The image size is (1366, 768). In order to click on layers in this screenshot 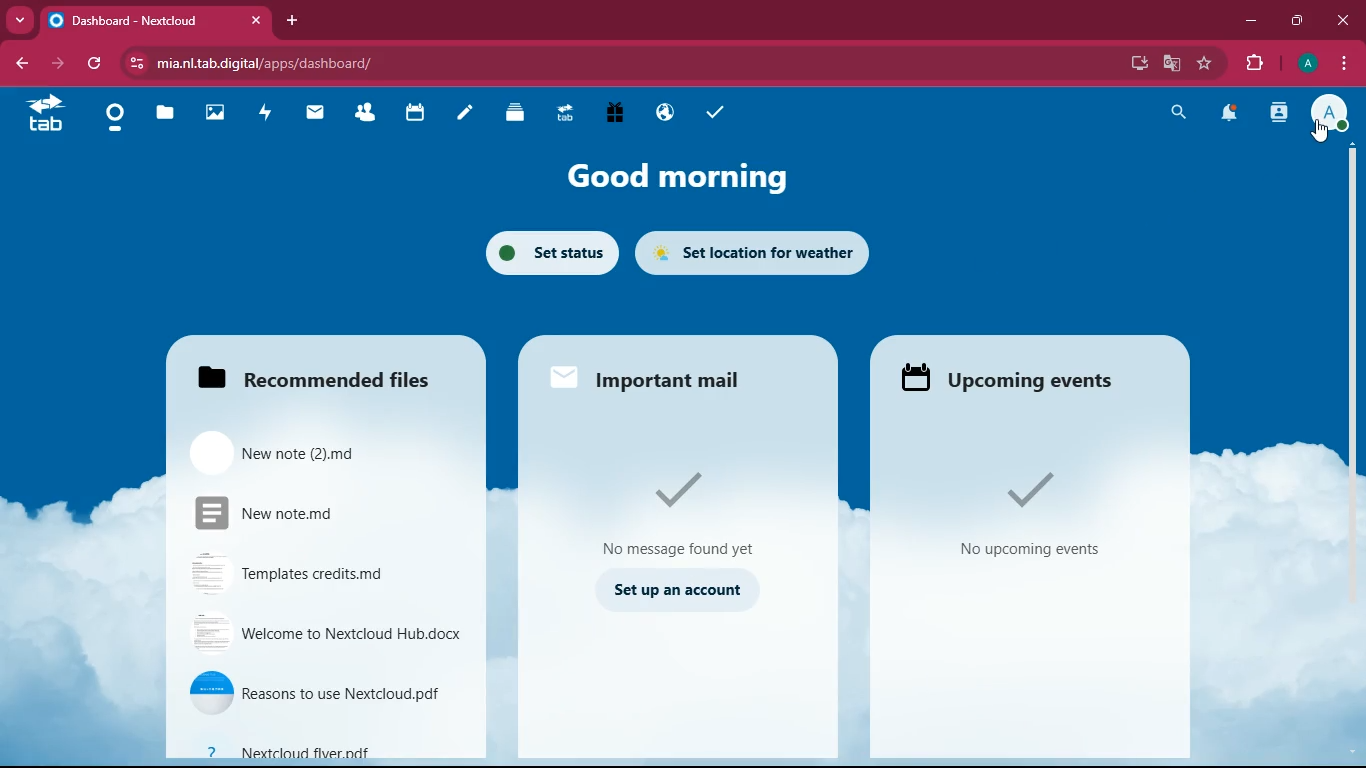, I will do `click(511, 114)`.